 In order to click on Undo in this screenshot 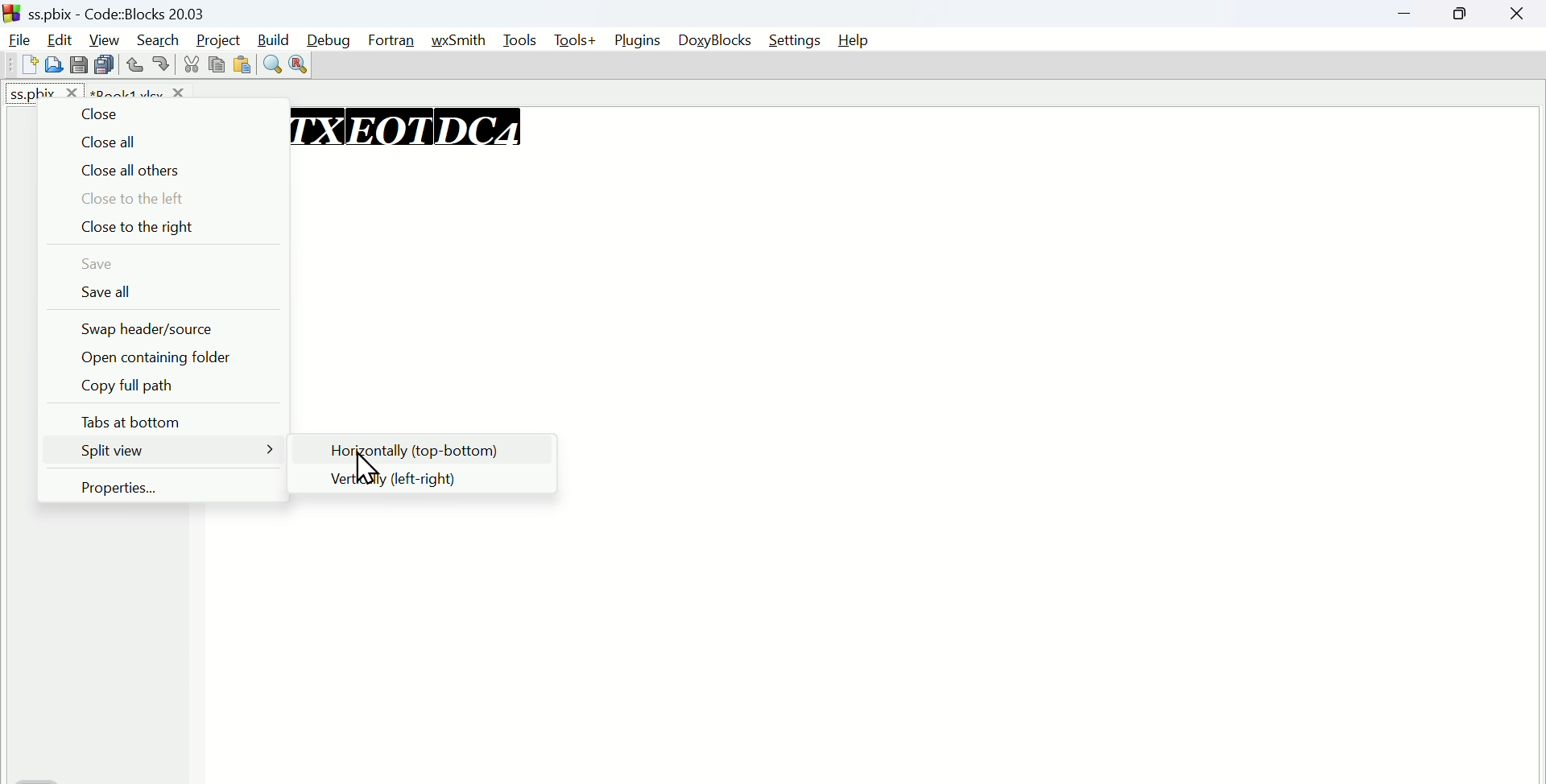, I will do `click(135, 61)`.